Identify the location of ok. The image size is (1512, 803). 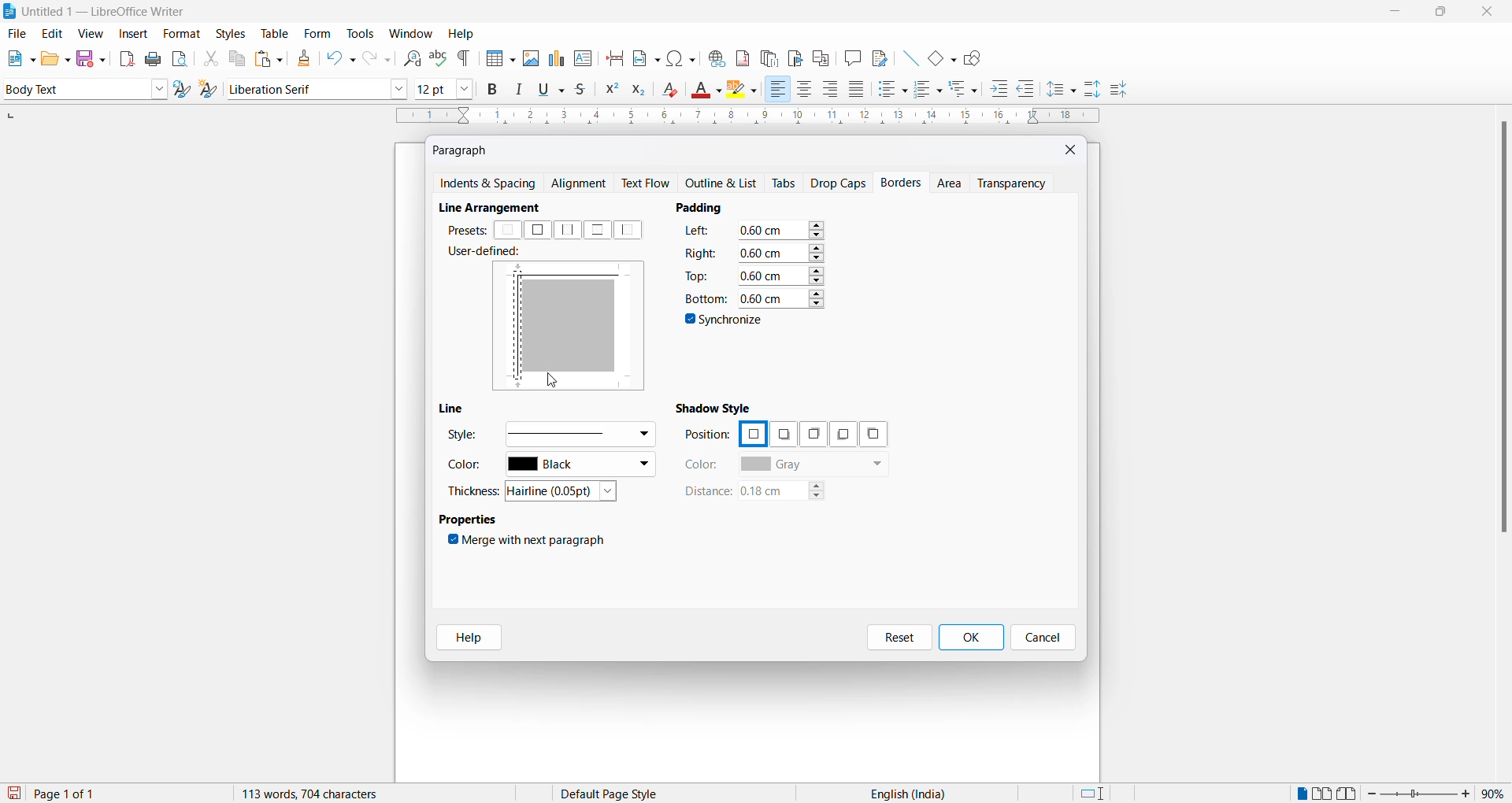
(970, 638).